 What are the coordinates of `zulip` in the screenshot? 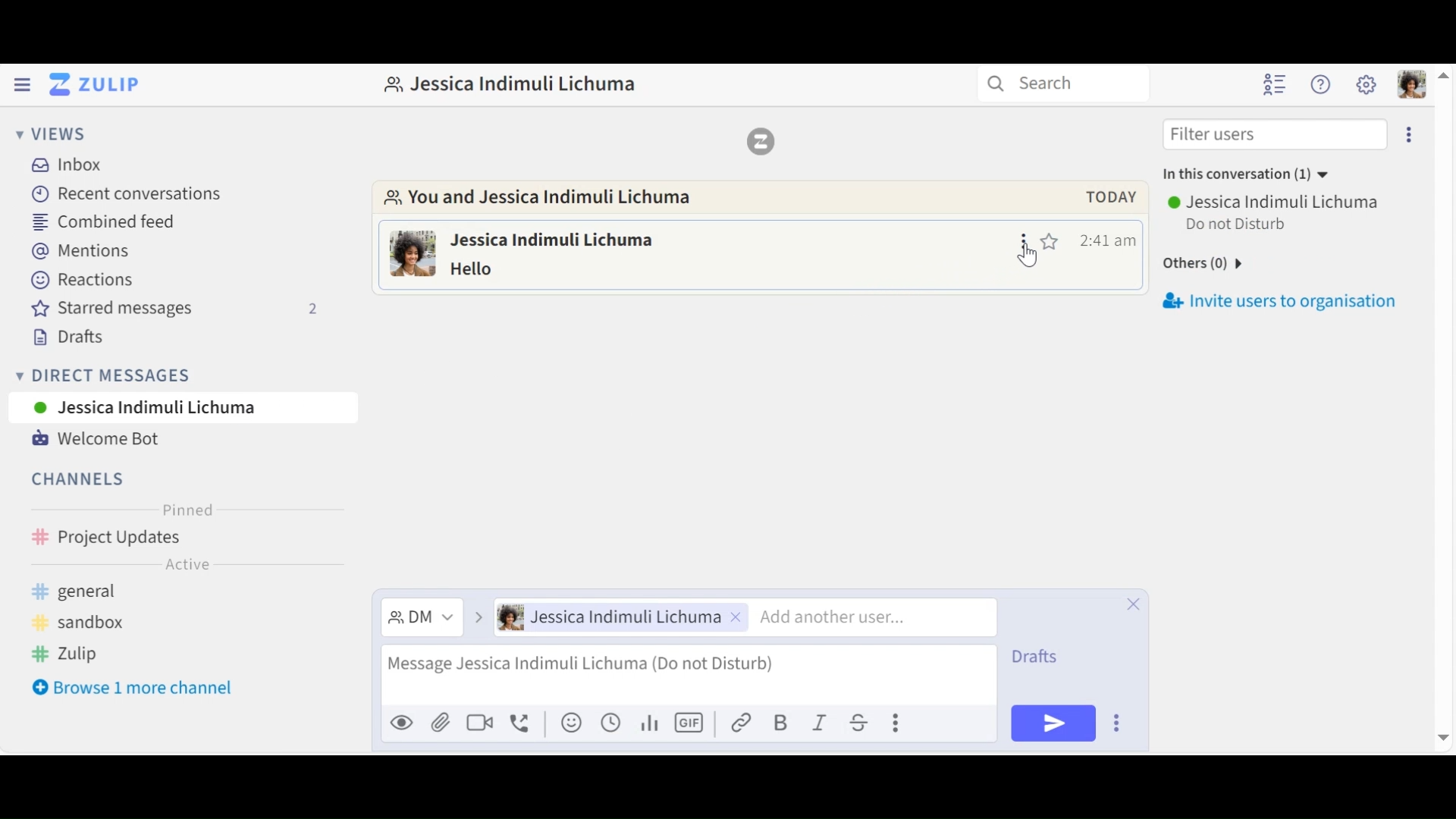 It's located at (74, 655).